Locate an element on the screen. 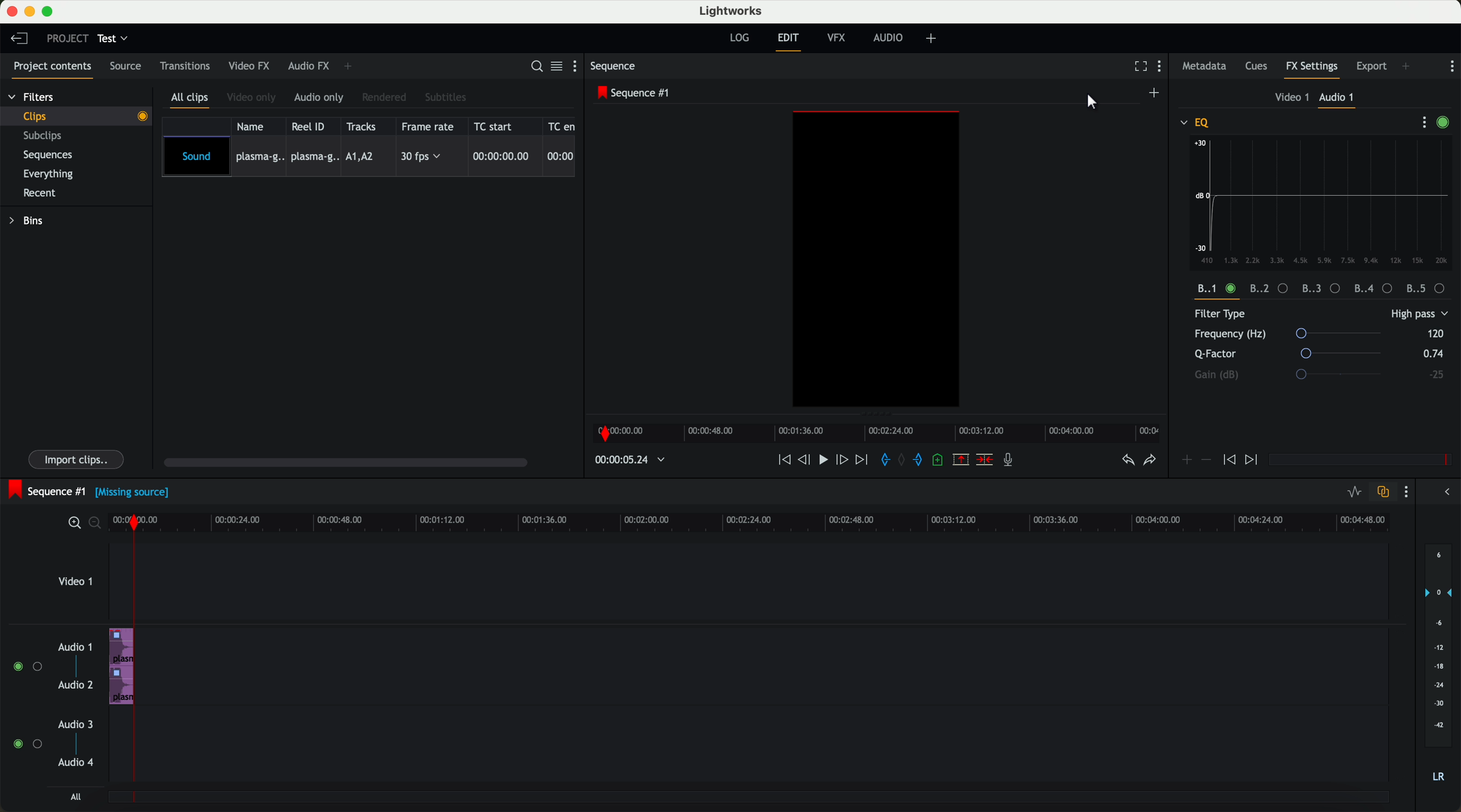  subclips is located at coordinates (45, 137).